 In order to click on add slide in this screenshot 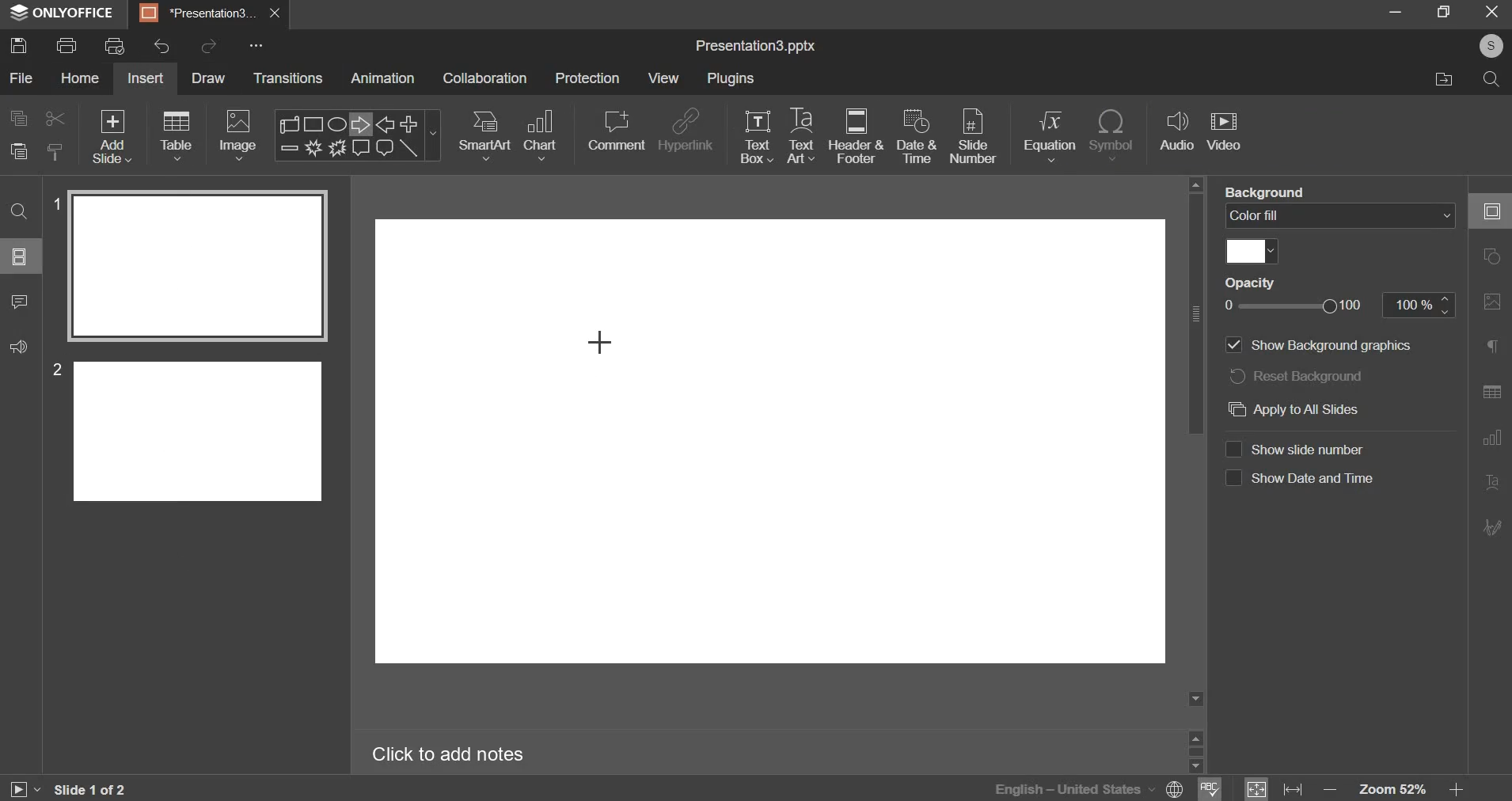, I will do `click(112, 136)`.